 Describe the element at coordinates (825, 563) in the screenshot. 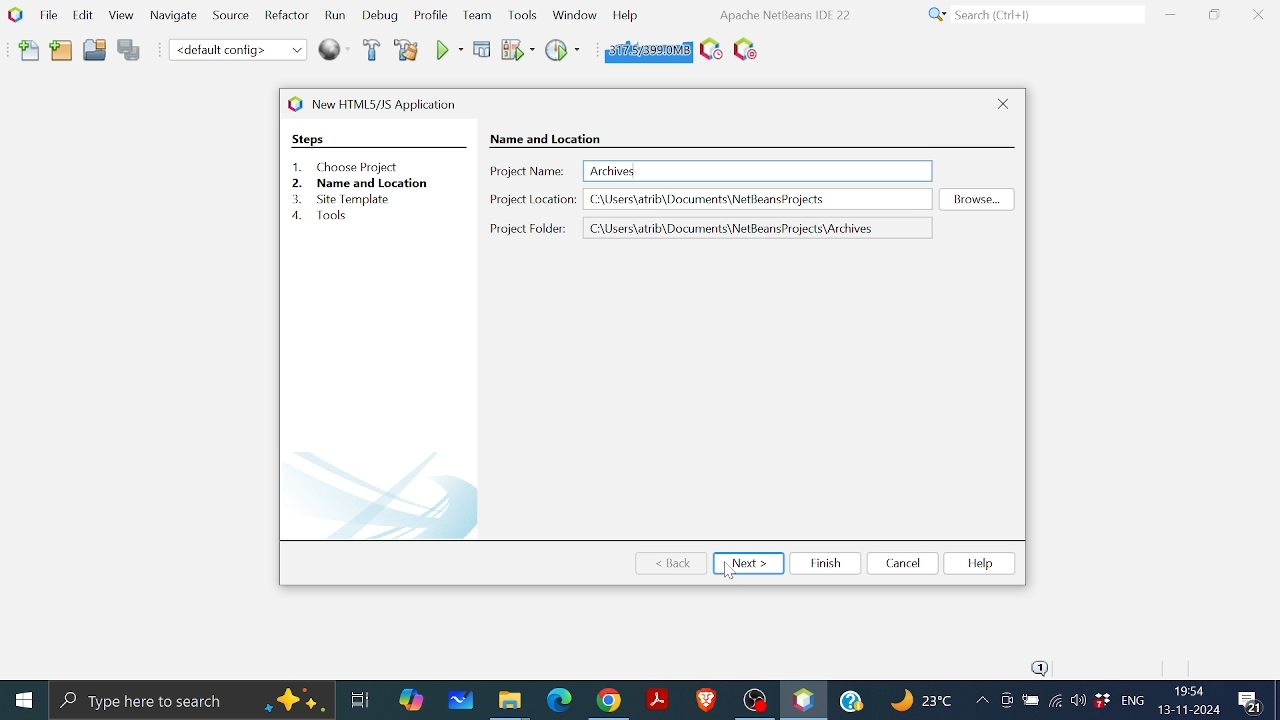

I see `Finish` at that location.